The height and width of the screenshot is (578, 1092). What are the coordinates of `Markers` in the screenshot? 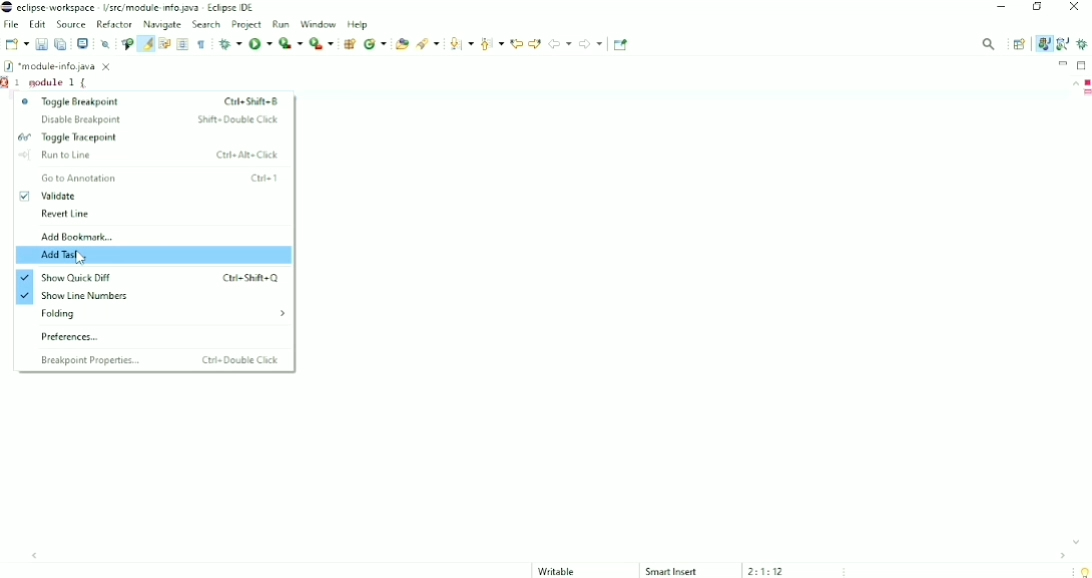 It's located at (7, 82).